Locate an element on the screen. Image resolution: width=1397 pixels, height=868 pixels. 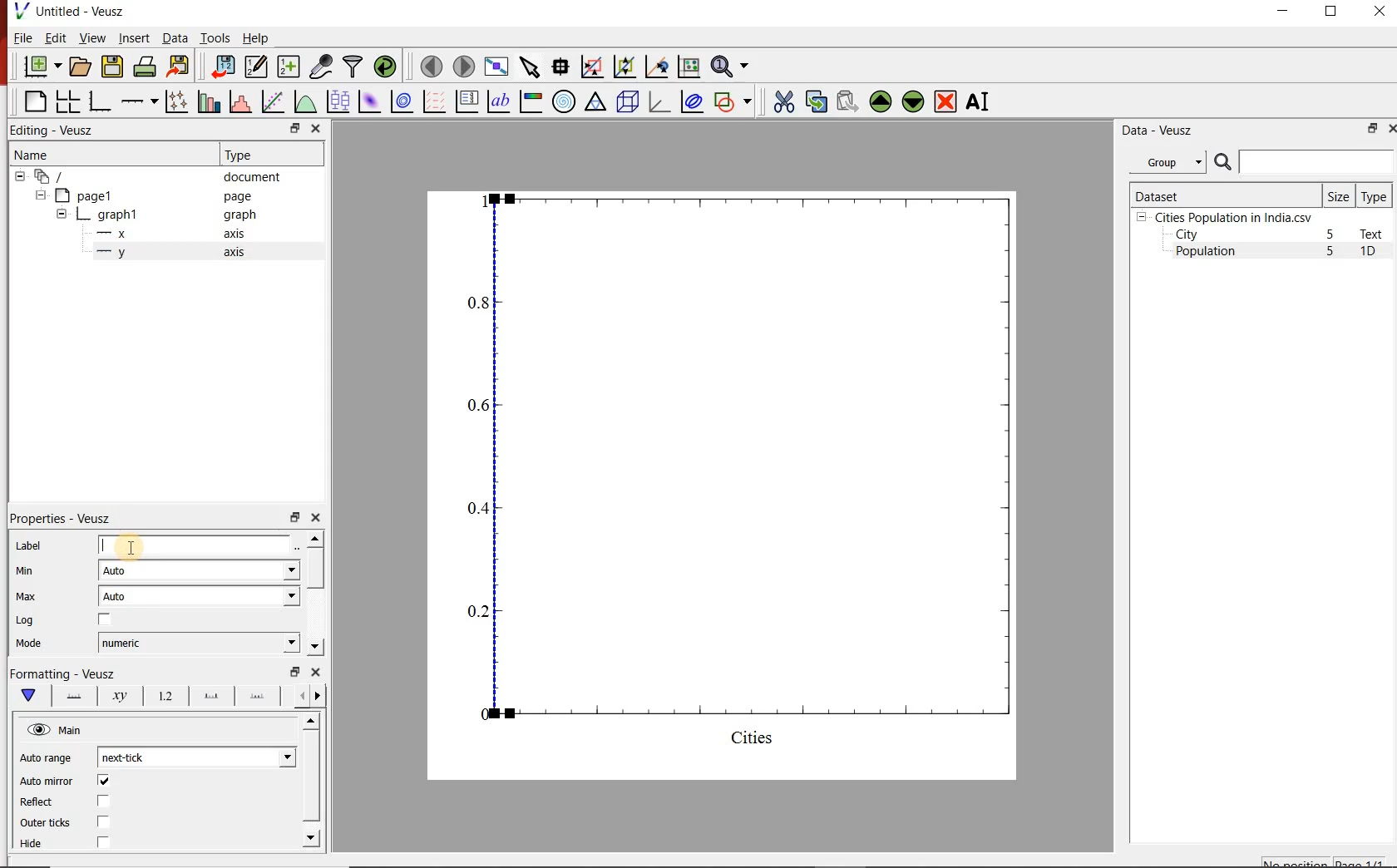
Hide is located at coordinates (39, 847).